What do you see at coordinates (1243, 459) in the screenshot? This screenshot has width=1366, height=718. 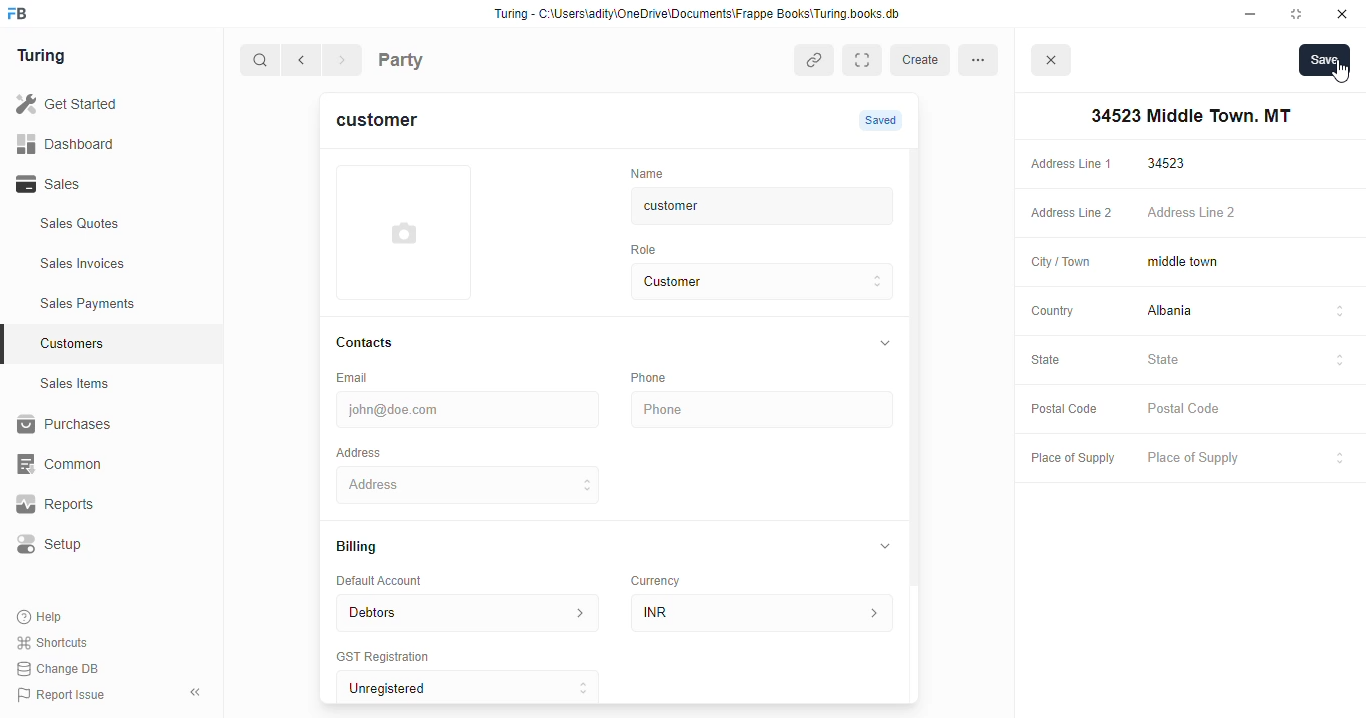 I see `Place of Supply` at bounding box center [1243, 459].